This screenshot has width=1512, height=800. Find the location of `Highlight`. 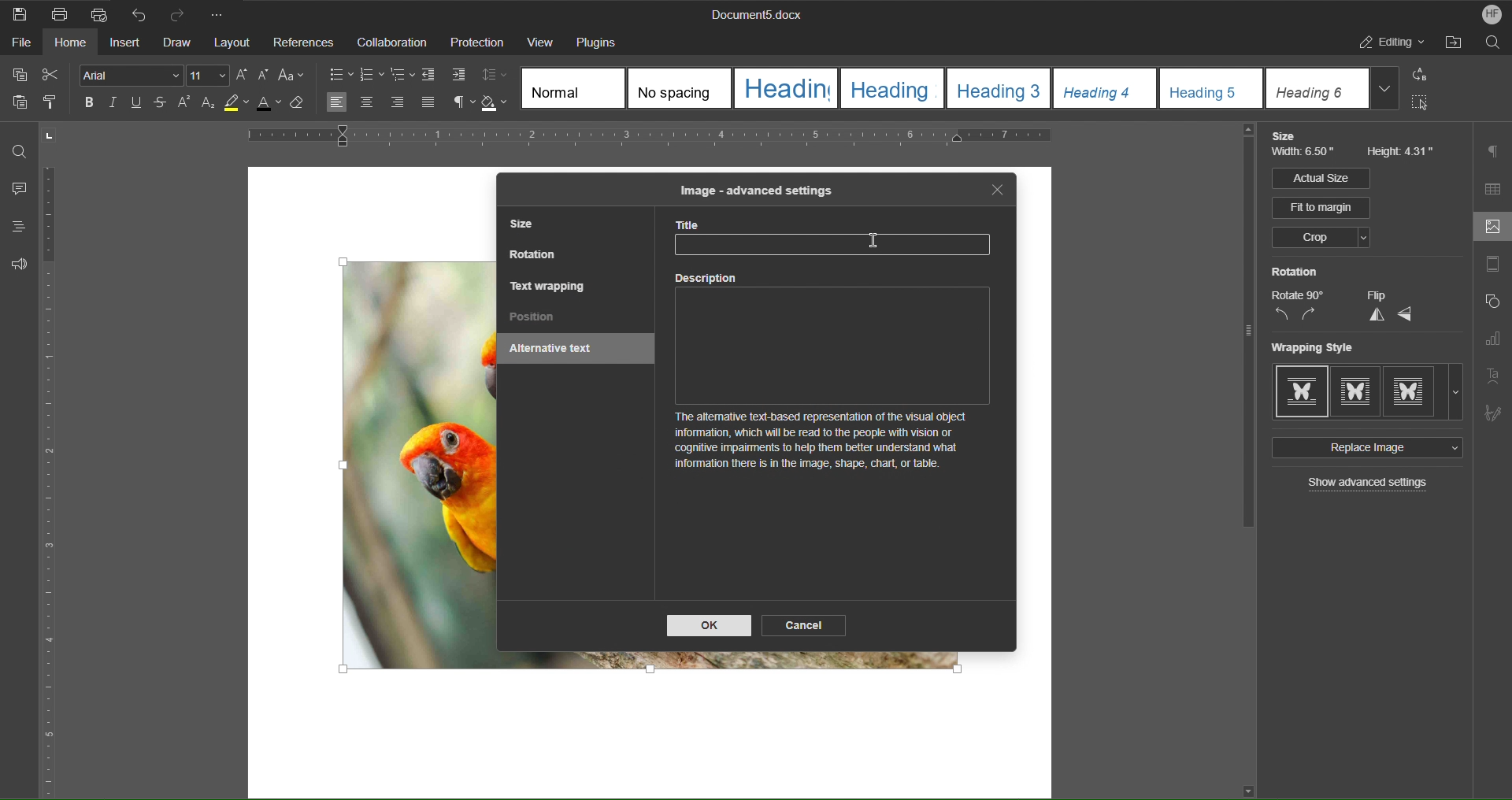

Highlight is located at coordinates (240, 106).